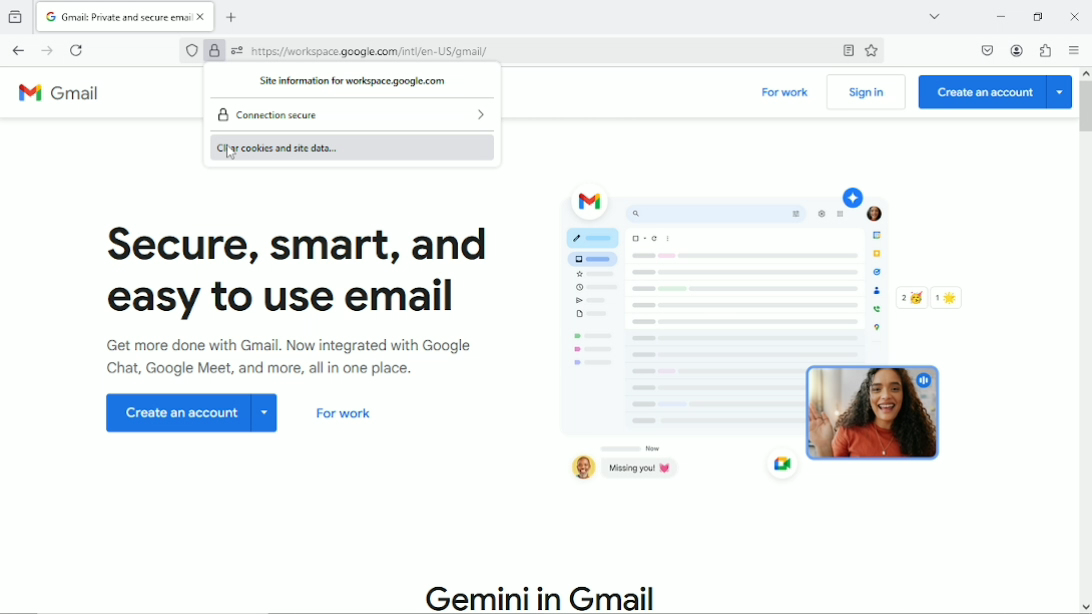 The width and height of the screenshot is (1092, 614). I want to click on Get more done with Gmail. now integrated with Google chat, google meet and more, all in one place, so click(304, 362).